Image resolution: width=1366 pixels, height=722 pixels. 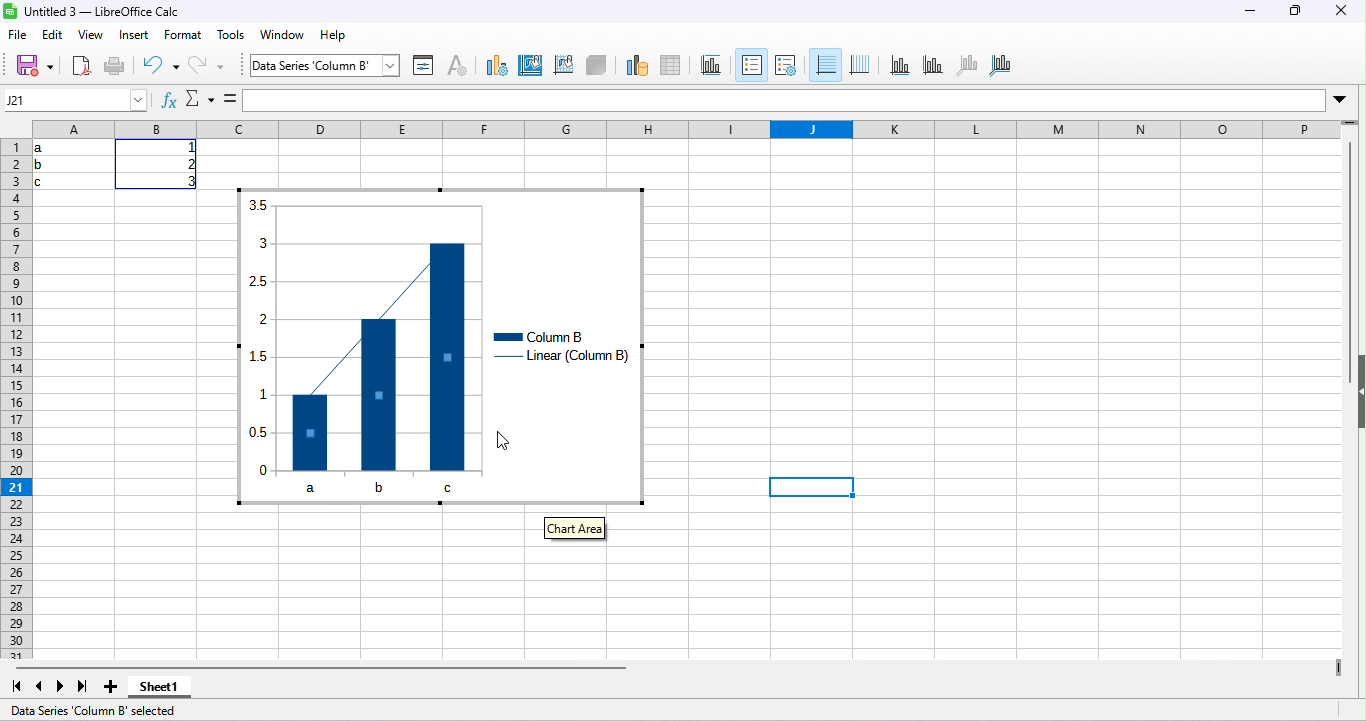 I want to click on export directly as pdf, so click(x=82, y=67).